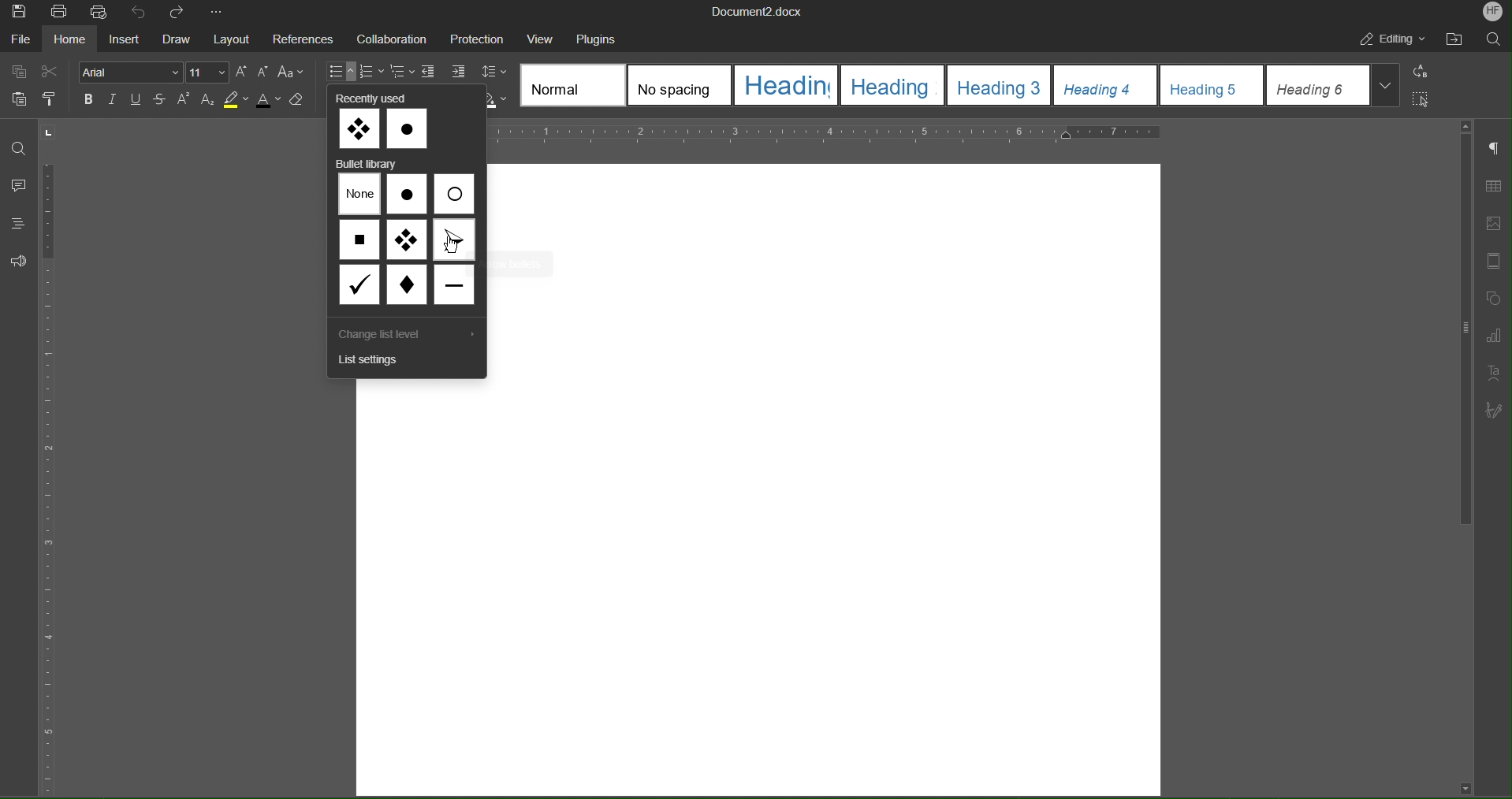 This screenshot has height=799, width=1512. Describe the element at coordinates (239, 98) in the screenshot. I see `Highlight` at that location.